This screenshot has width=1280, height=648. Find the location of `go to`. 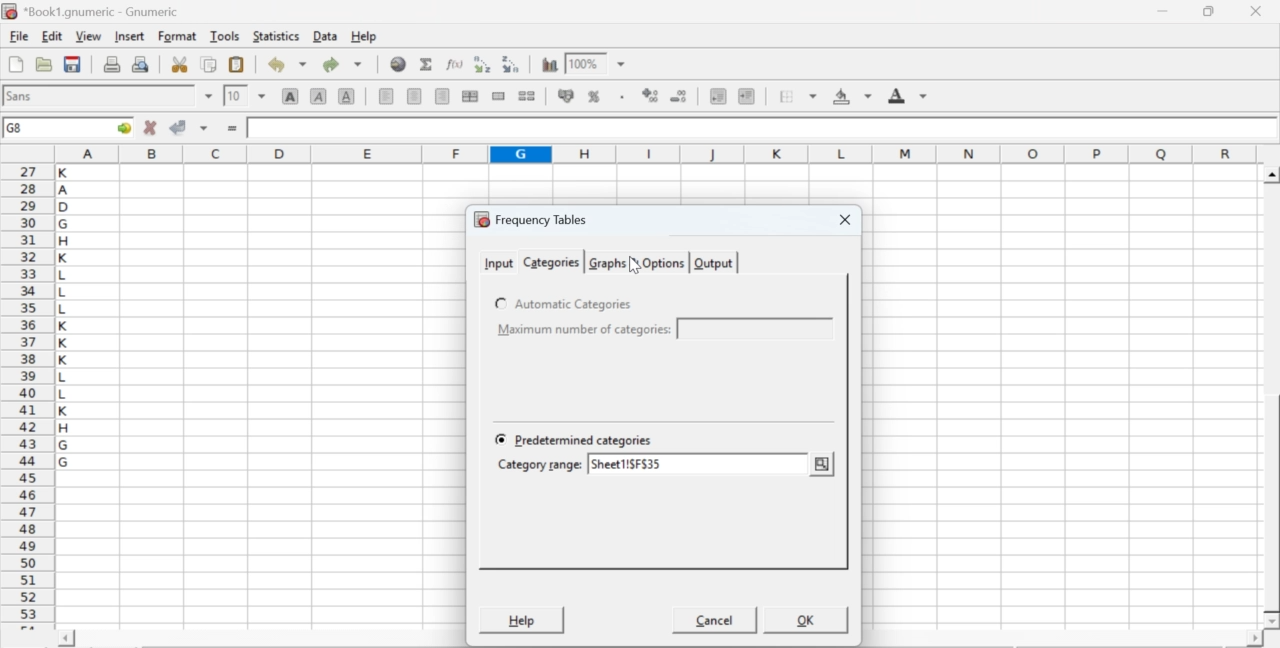

go to is located at coordinates (122, 127).